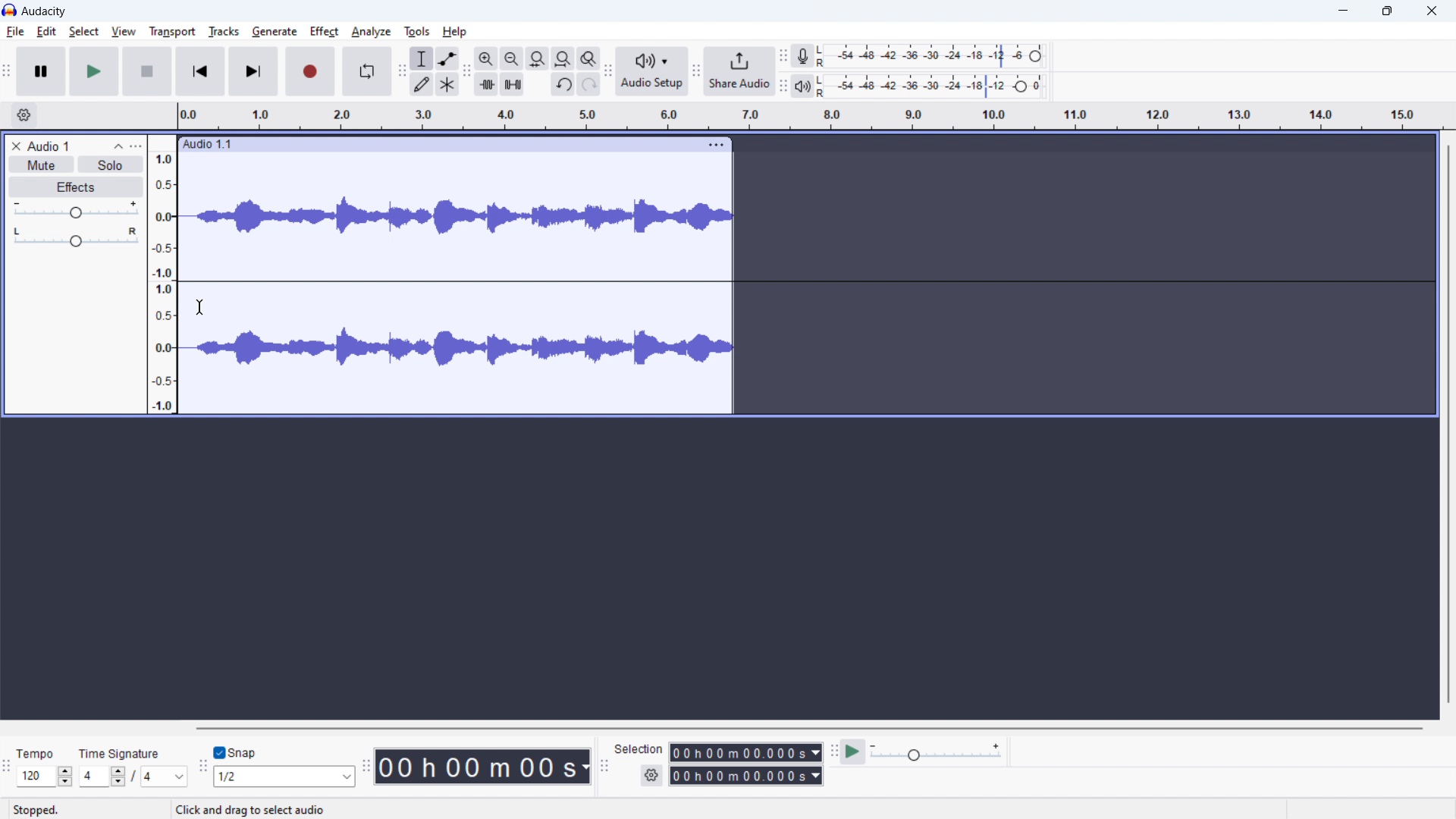  Describe the element at coordinates (35, 777) in the screenshot. I see `set tempo` at that location.